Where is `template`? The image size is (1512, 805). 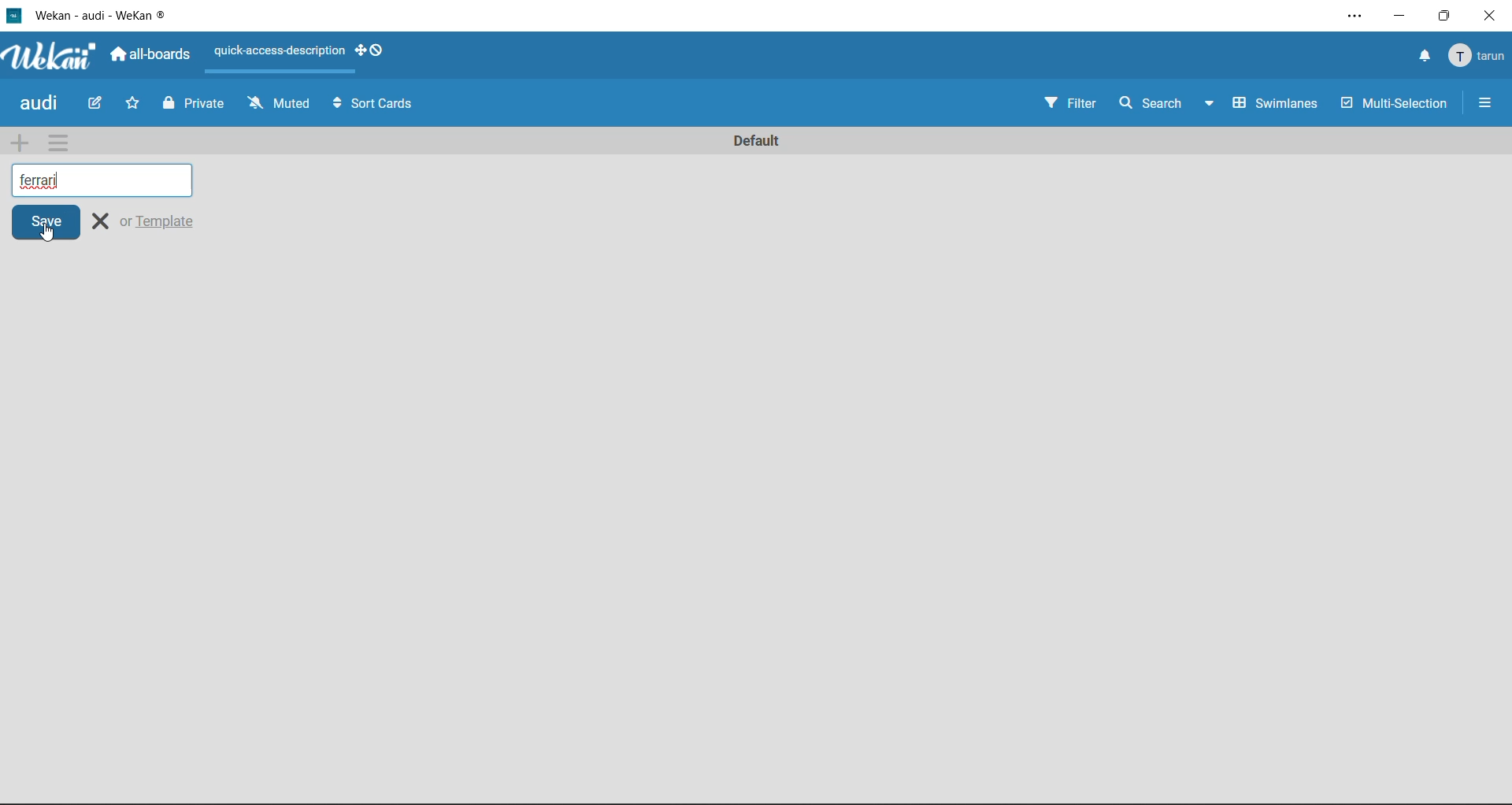 template is located at coordinates (165, 221).